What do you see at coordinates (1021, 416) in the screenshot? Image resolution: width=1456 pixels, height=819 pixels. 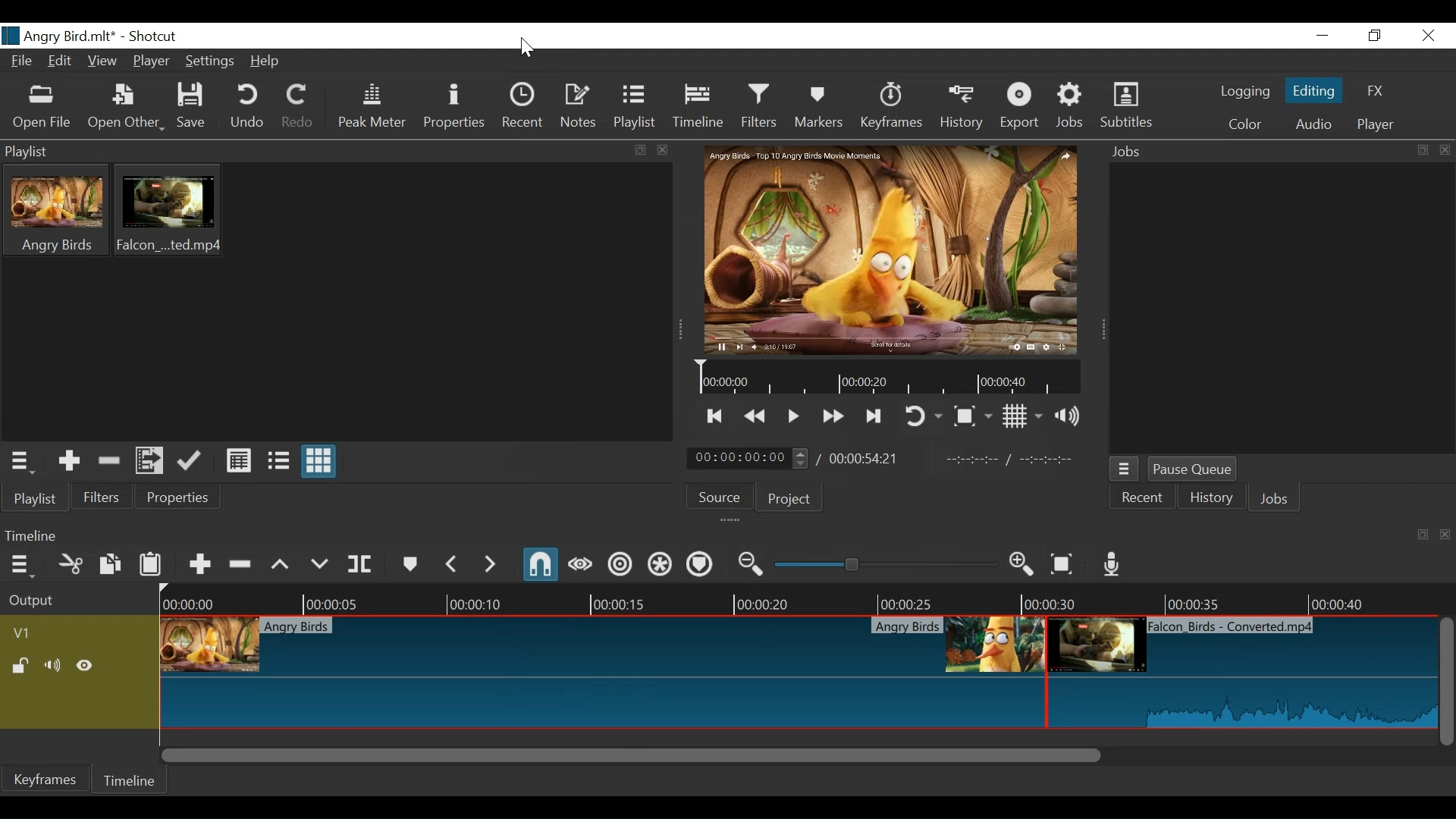 I see `Toggle display grid on player` at bounding box center [1021, 416].